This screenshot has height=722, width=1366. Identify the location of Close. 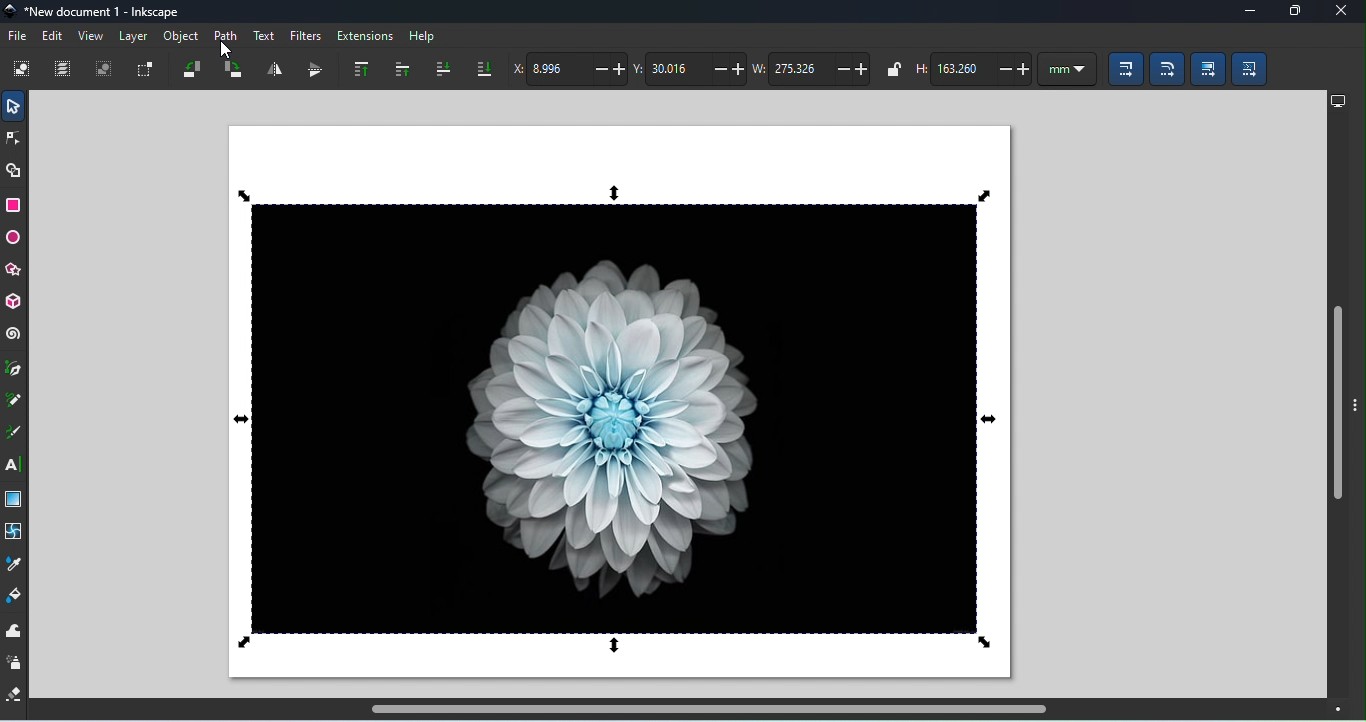
(1342, 12).